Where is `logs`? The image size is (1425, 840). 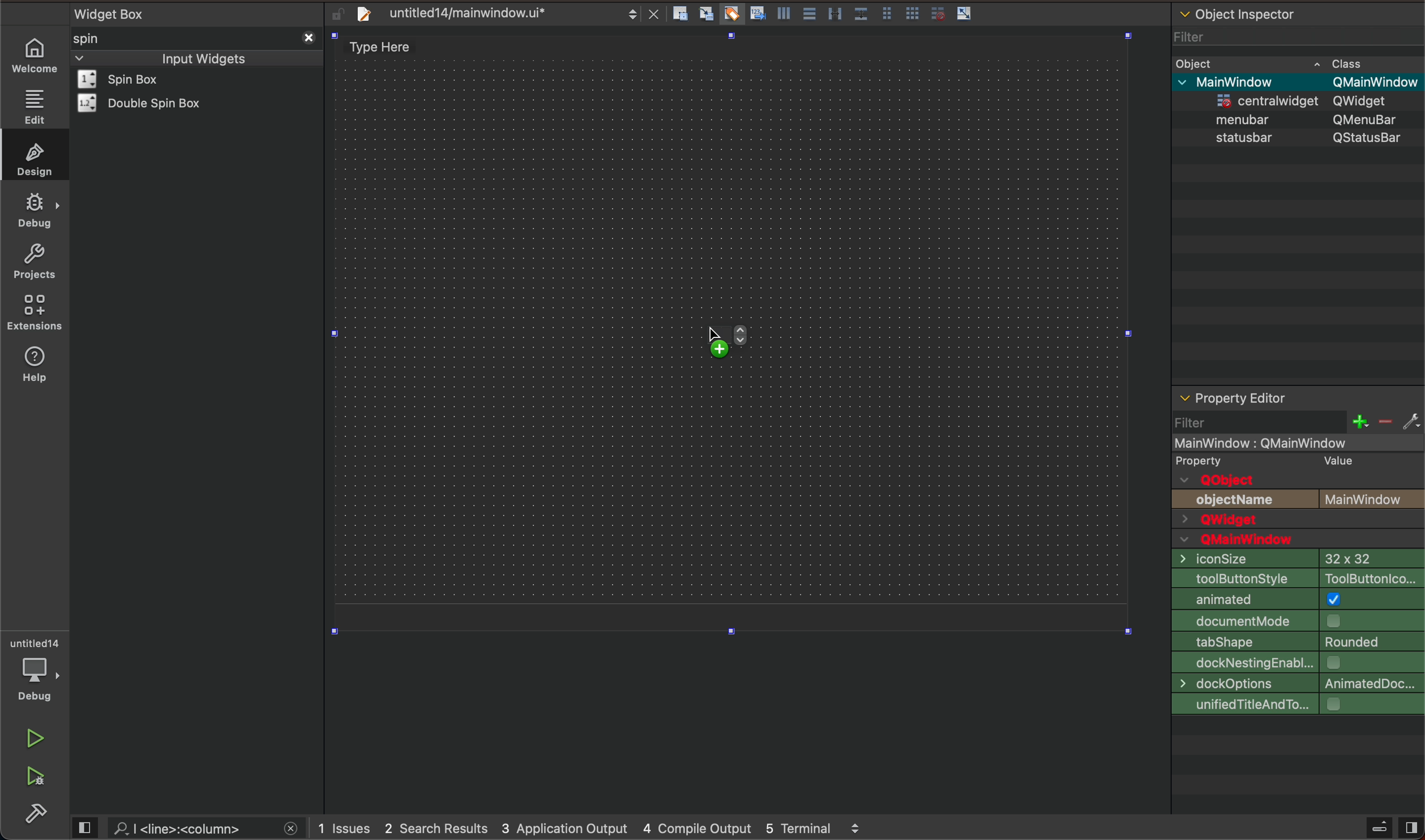 logs is located at coordinates (601, 829).